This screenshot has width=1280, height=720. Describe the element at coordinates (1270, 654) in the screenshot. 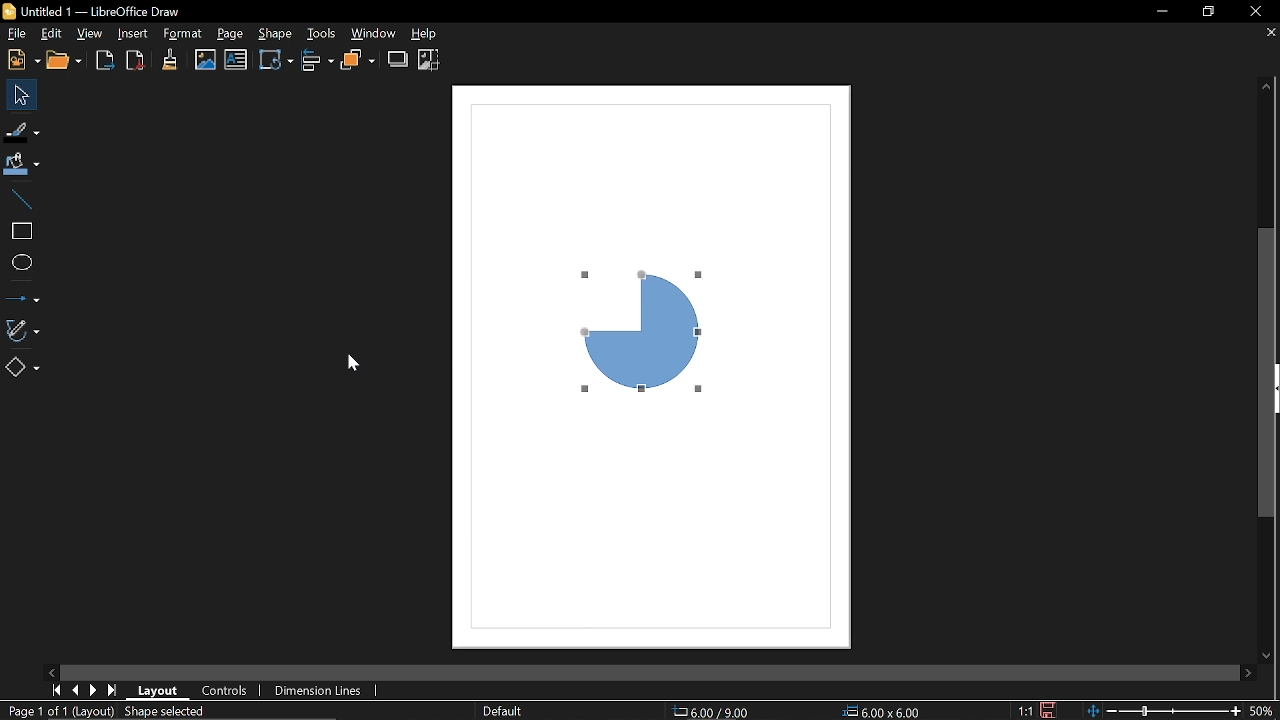

I see `Move down` at that location.